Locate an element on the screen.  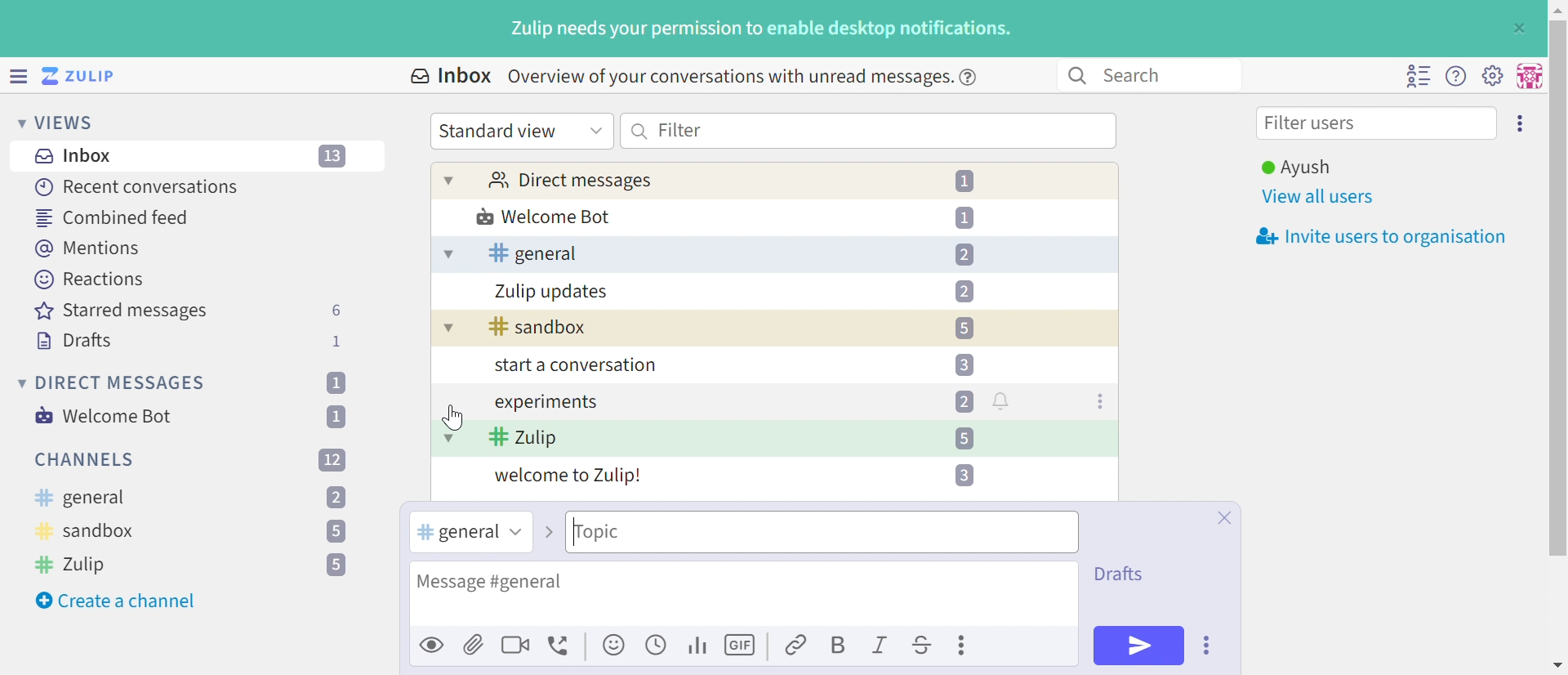
More is located at coordinates (964, 645).